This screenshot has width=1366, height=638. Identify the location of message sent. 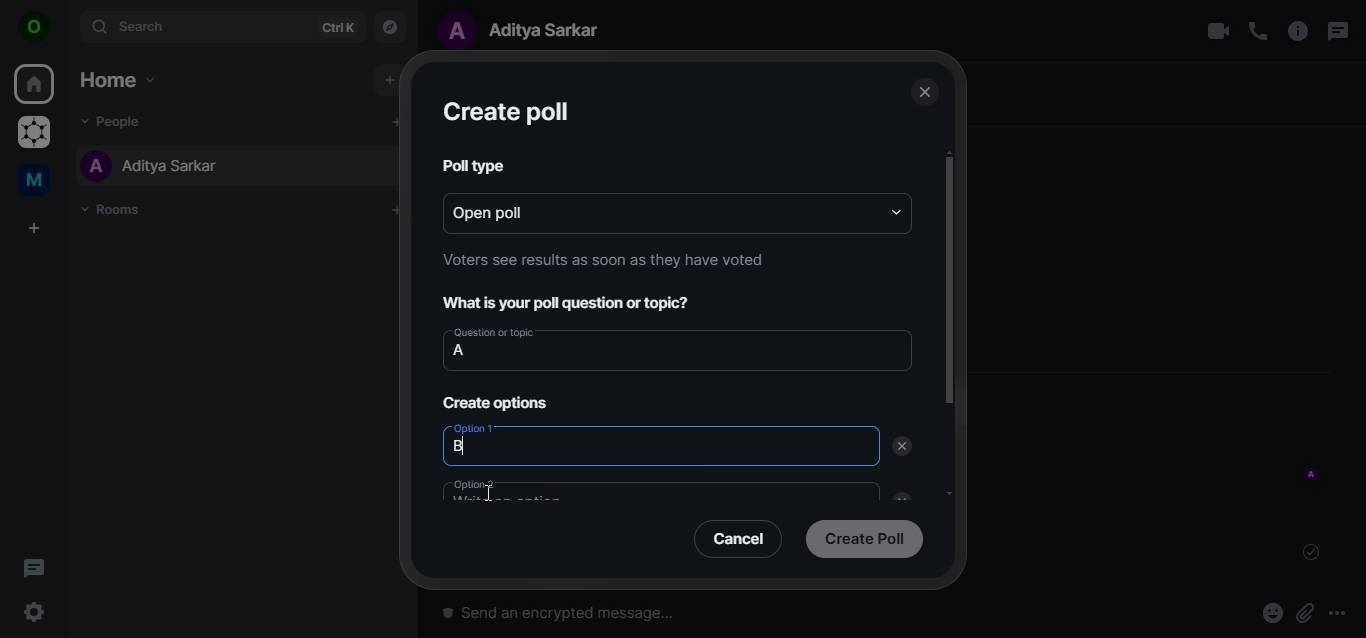
(1313, 552).